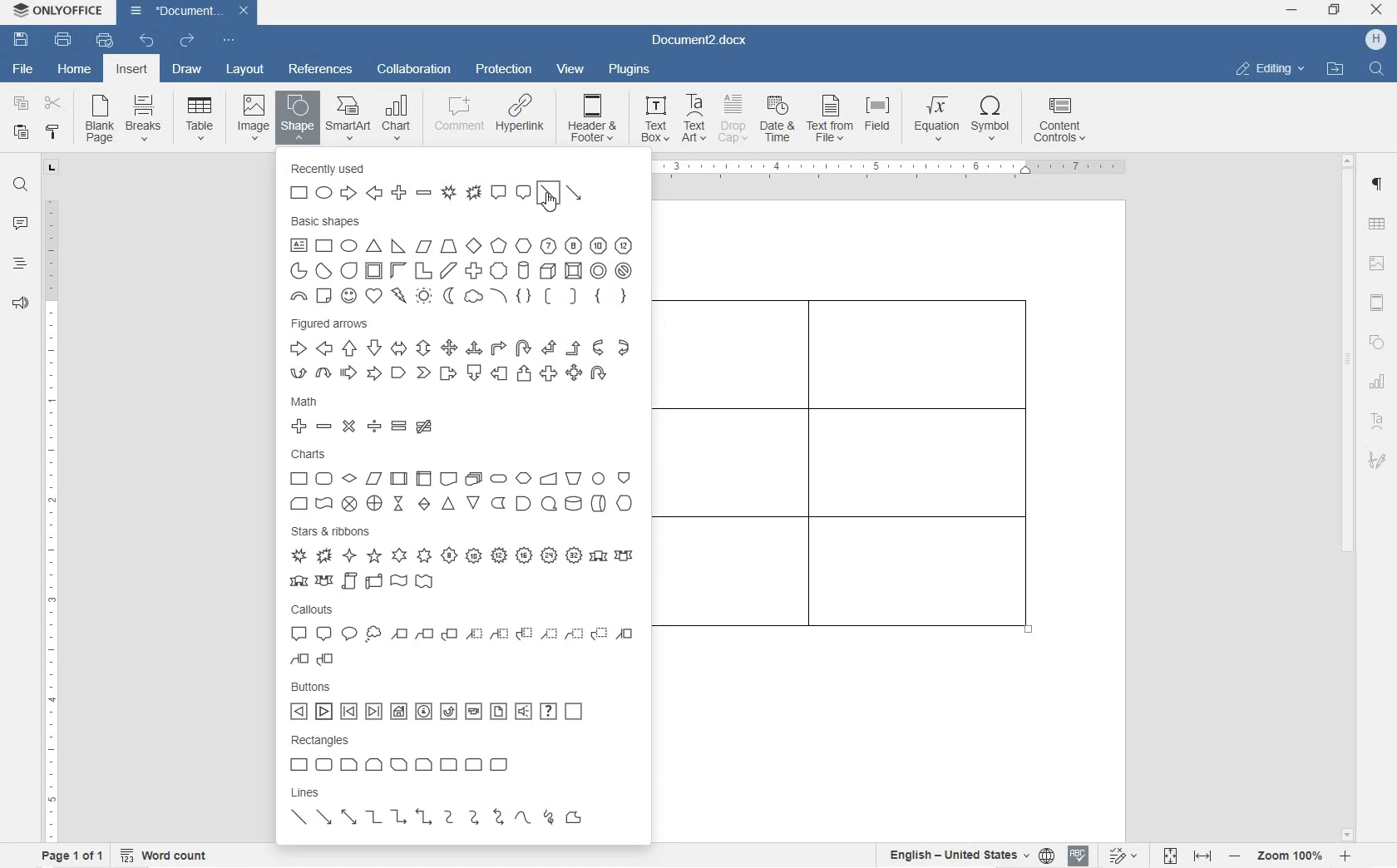  I want to click on customize quick access toolbar, so click(228, 40).